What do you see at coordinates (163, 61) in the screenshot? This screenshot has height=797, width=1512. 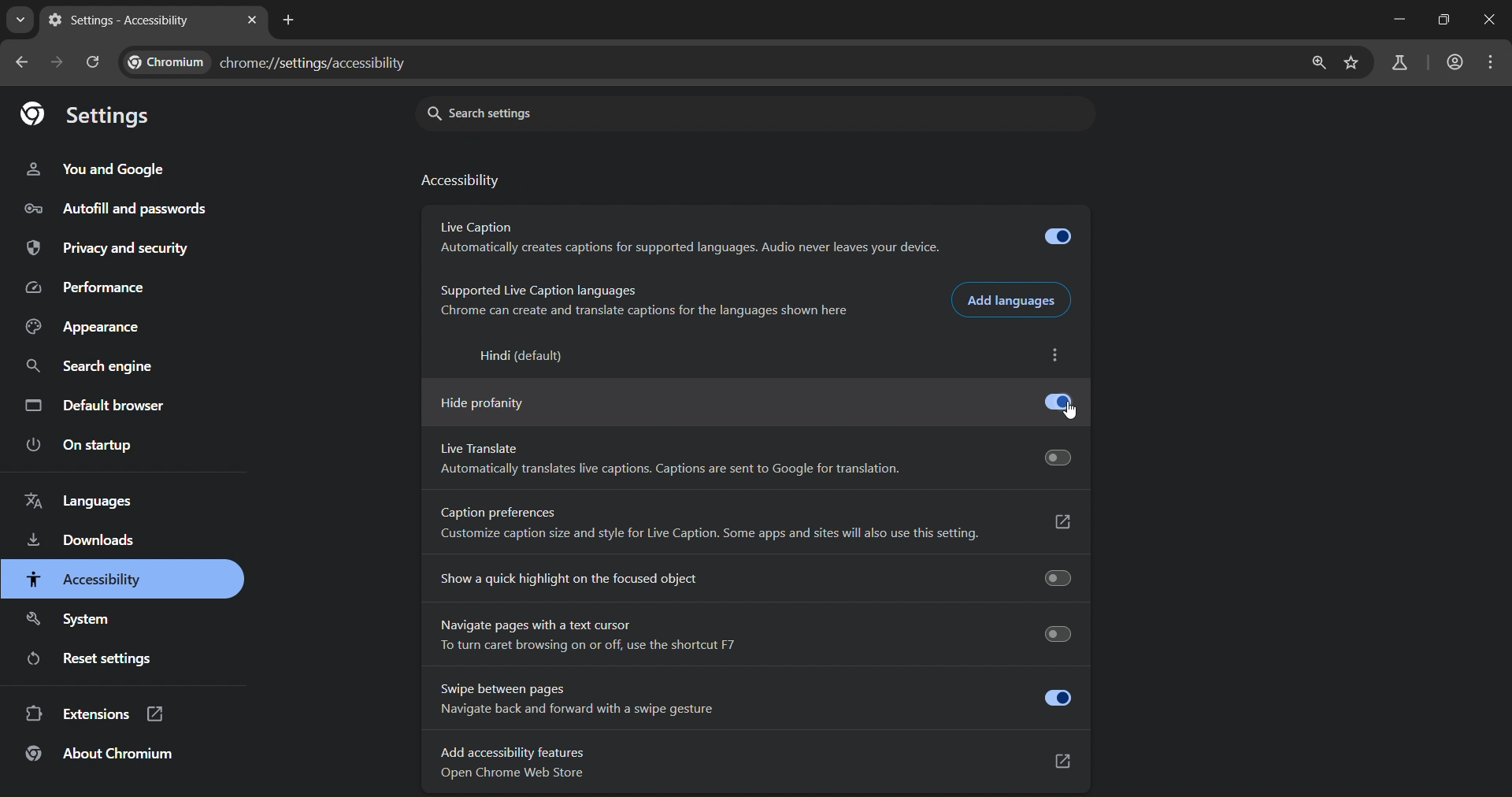 I see `Chromium` at bounding box center [163, 61].